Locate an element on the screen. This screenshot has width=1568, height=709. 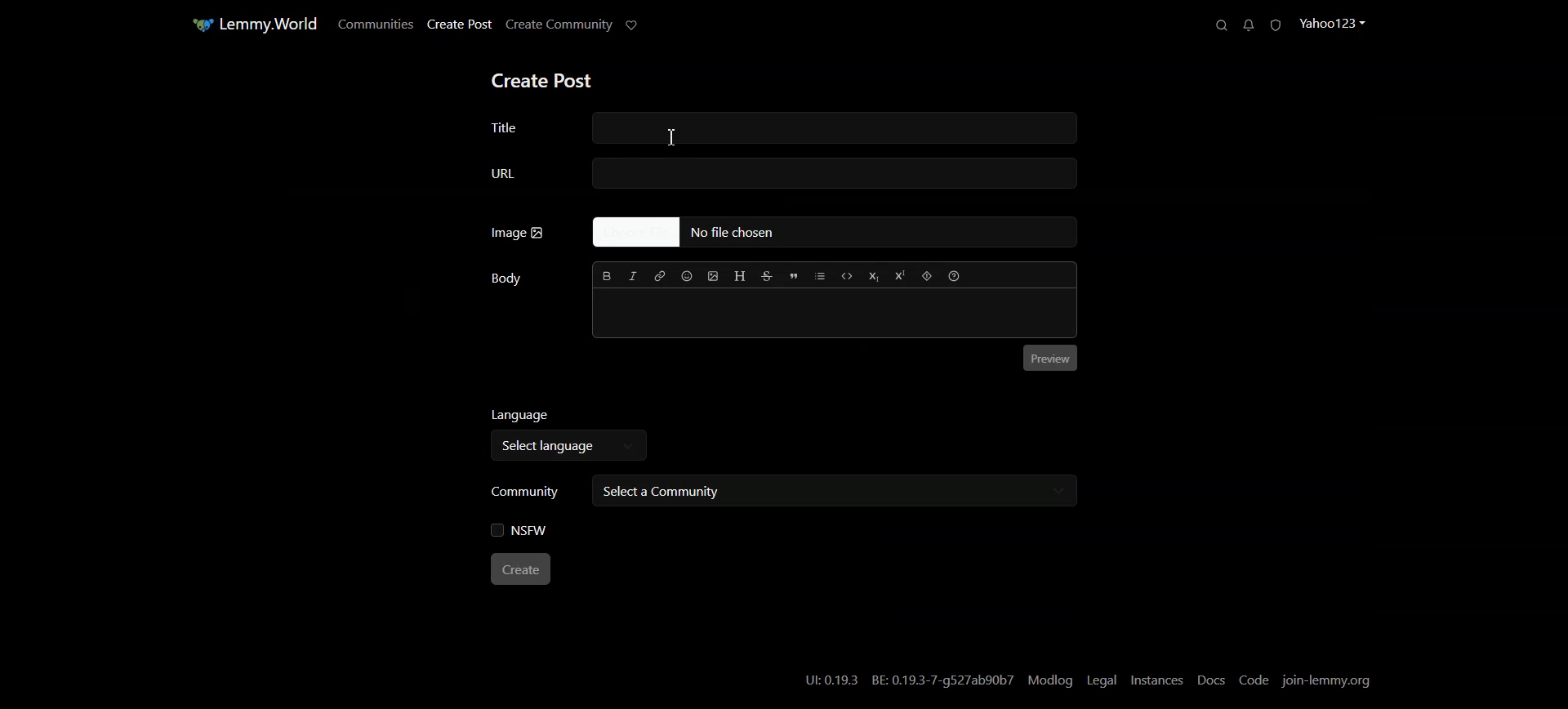
Superscript is located at coordinates (900, 275).